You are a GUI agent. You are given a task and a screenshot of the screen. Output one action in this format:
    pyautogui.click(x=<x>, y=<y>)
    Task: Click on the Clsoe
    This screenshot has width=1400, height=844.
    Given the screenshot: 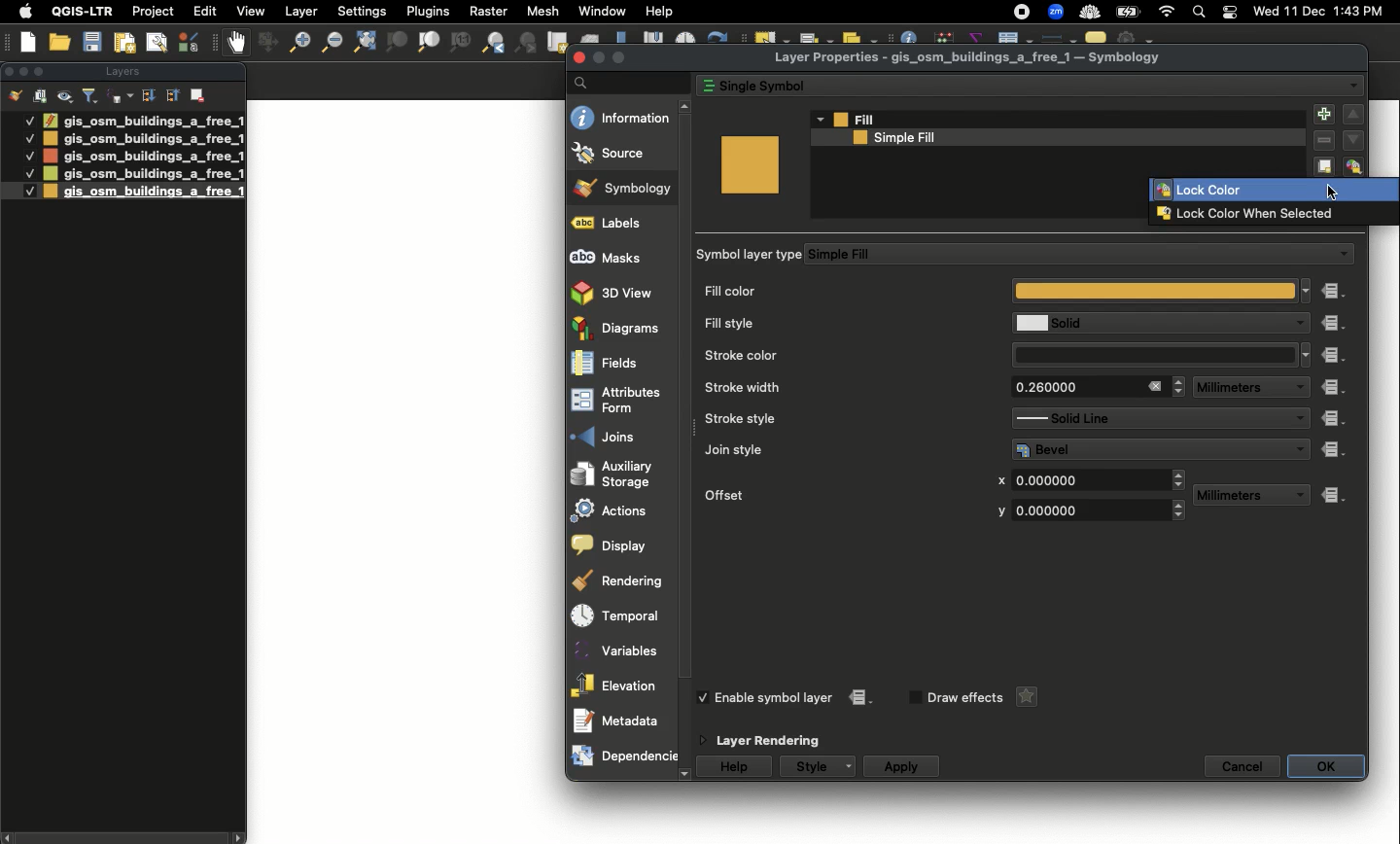 What is the action you would take?
    pyautogui.click(x=9, y=71)
    